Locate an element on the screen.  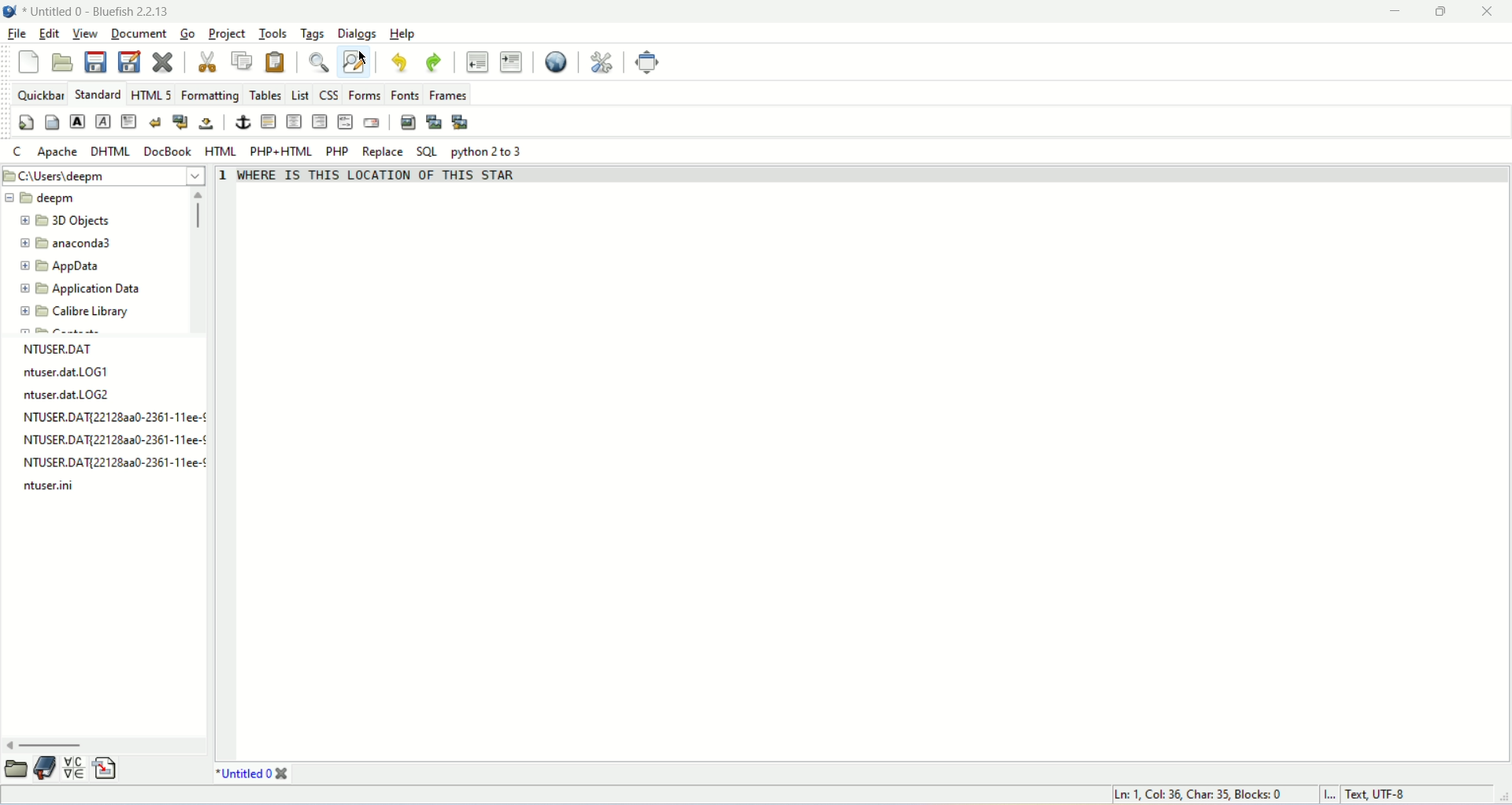
HTML5 is located at coordinates (149, 95).